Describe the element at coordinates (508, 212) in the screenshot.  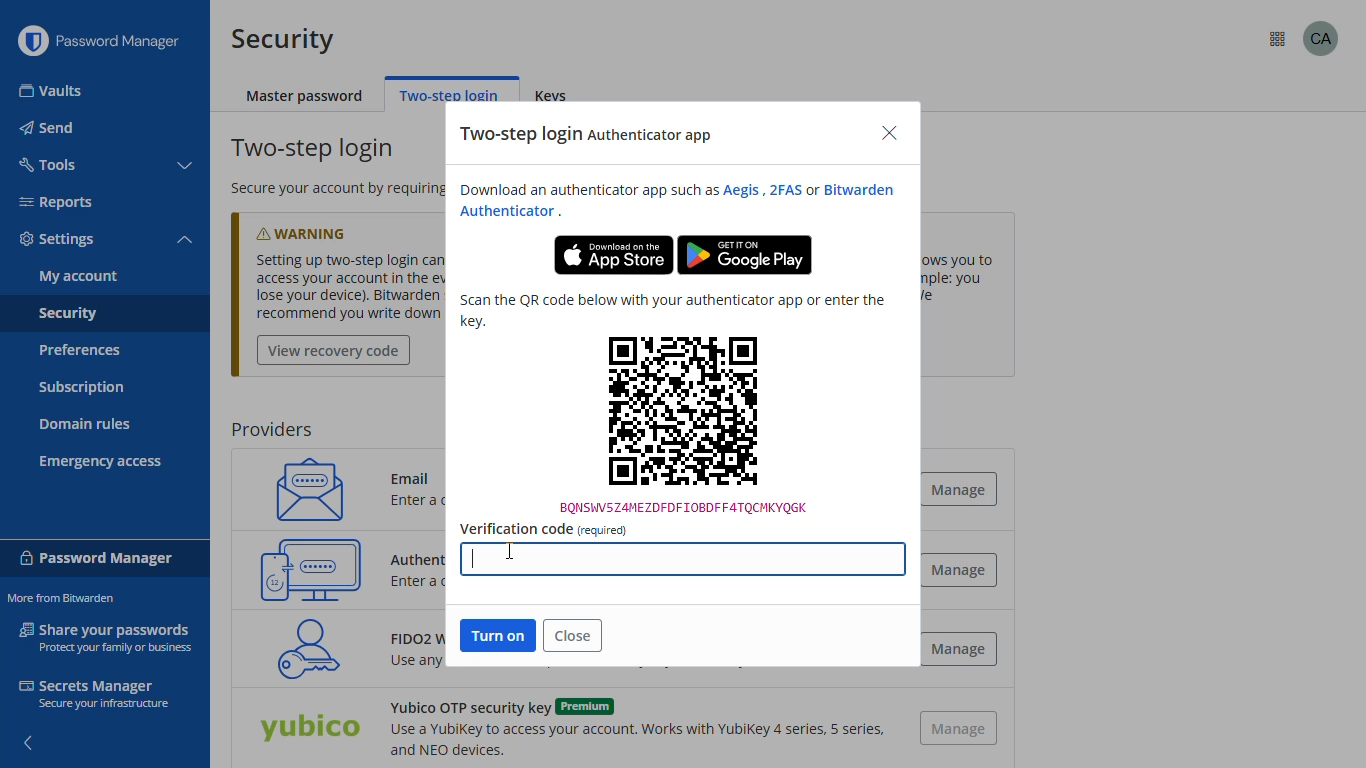
I see `Authenticator` at that location.